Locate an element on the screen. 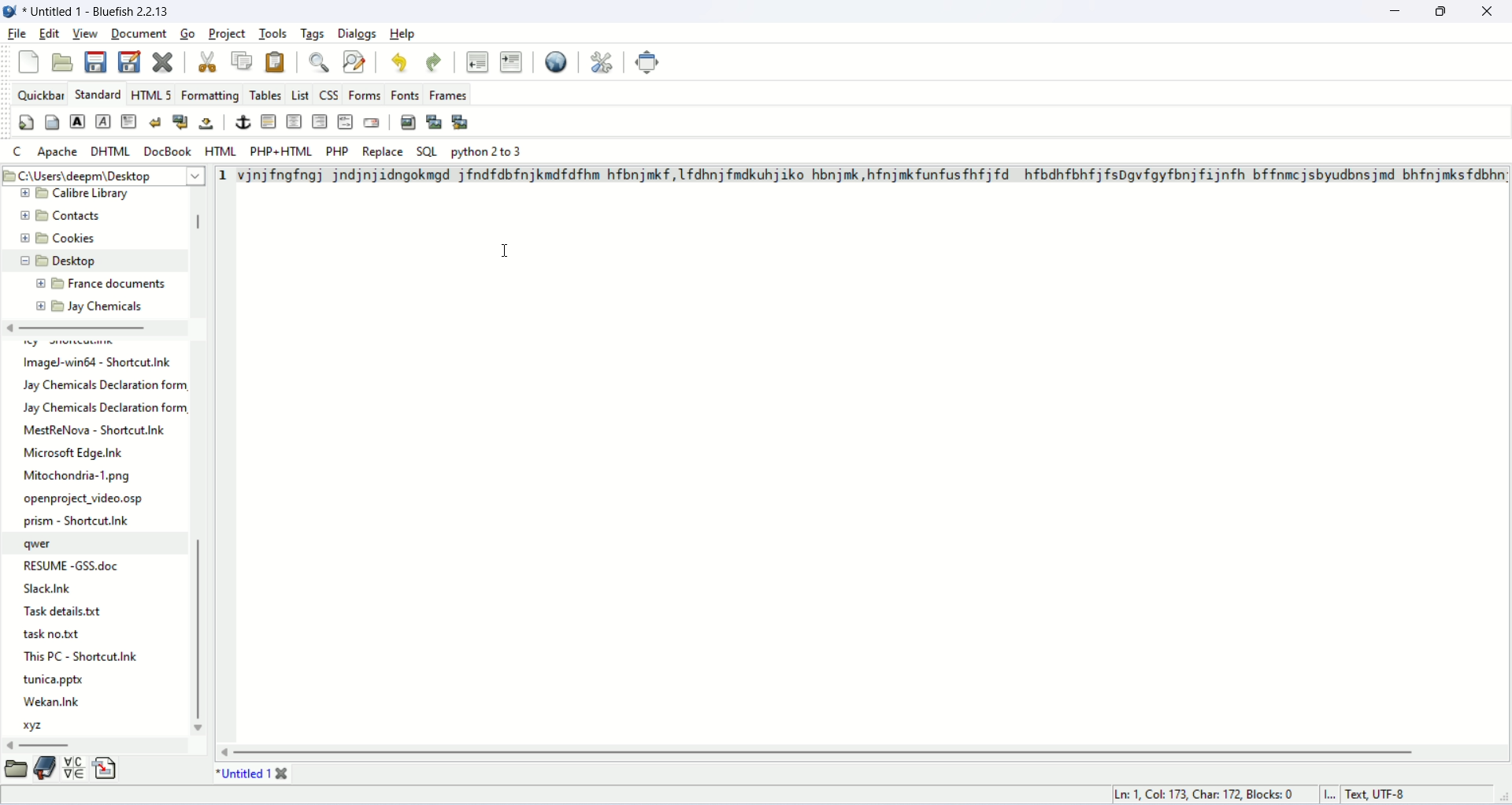 Image resolution: width=1512 pixels, height=805 pixels. fullscreen is located at coordinates (649, 62).